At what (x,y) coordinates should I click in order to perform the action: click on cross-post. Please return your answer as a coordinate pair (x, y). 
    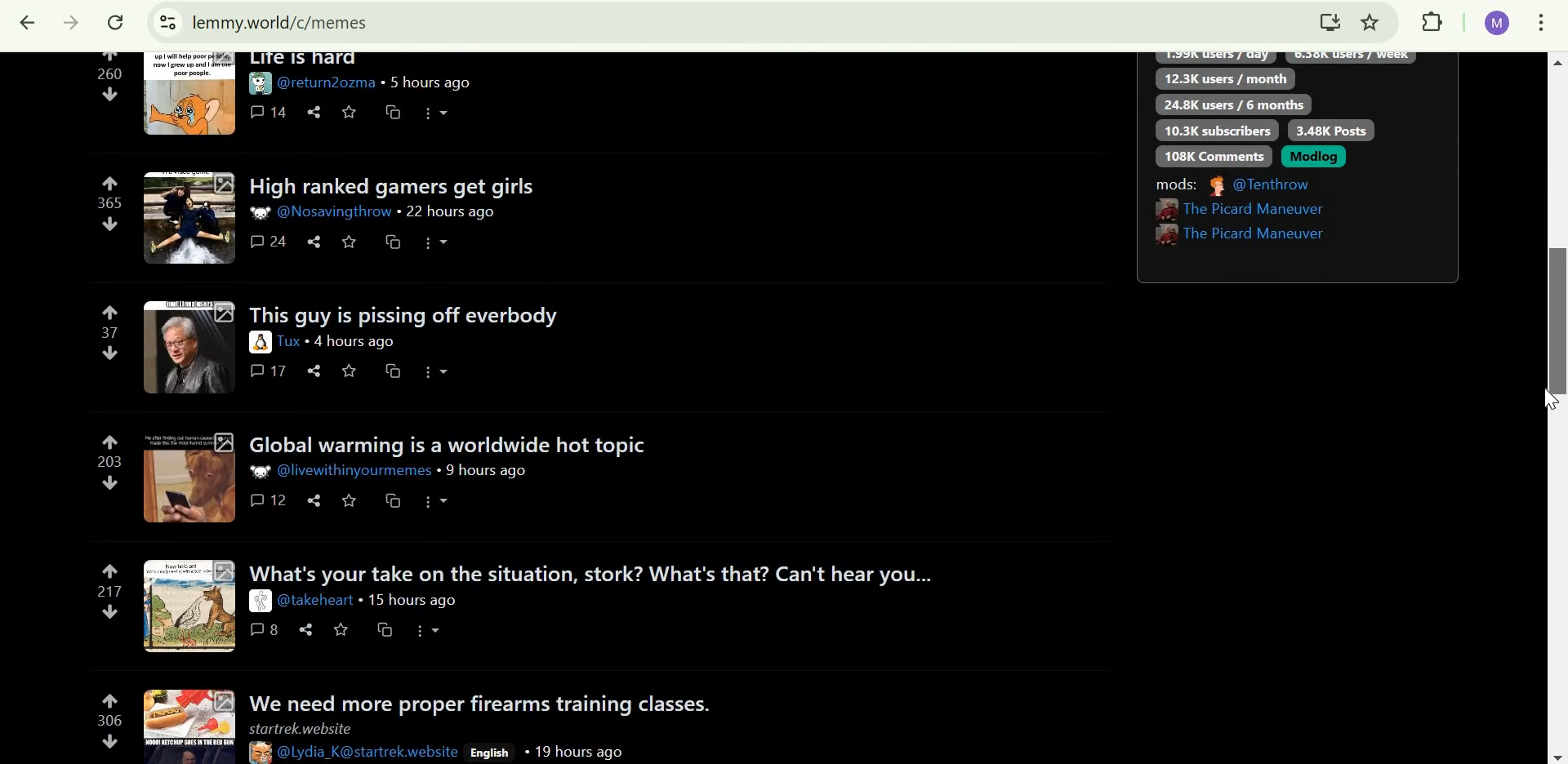
    Looking at the image, I should click on (385, 630).